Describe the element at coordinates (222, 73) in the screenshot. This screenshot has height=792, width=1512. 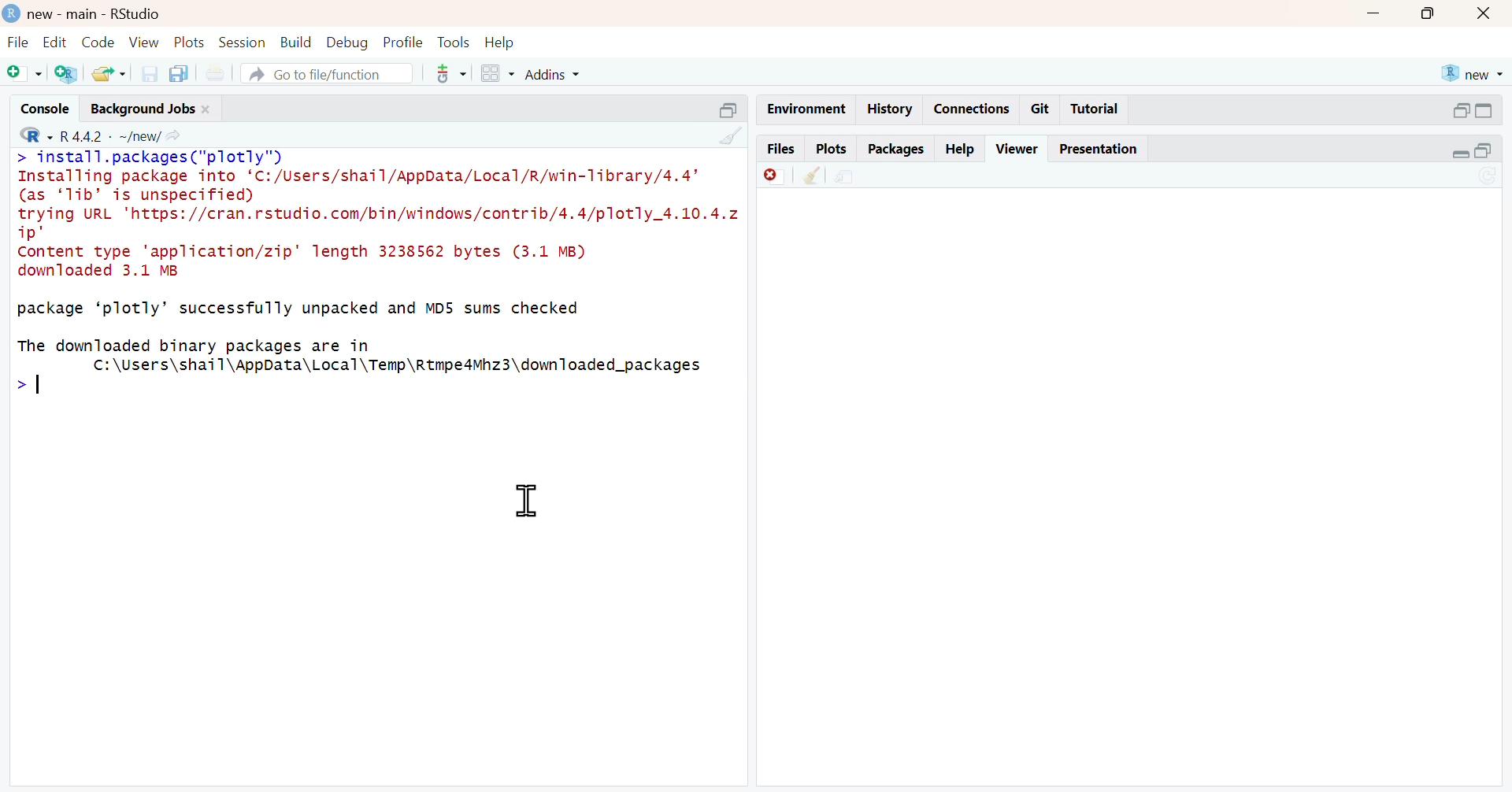
I see `print the current file` at that location.